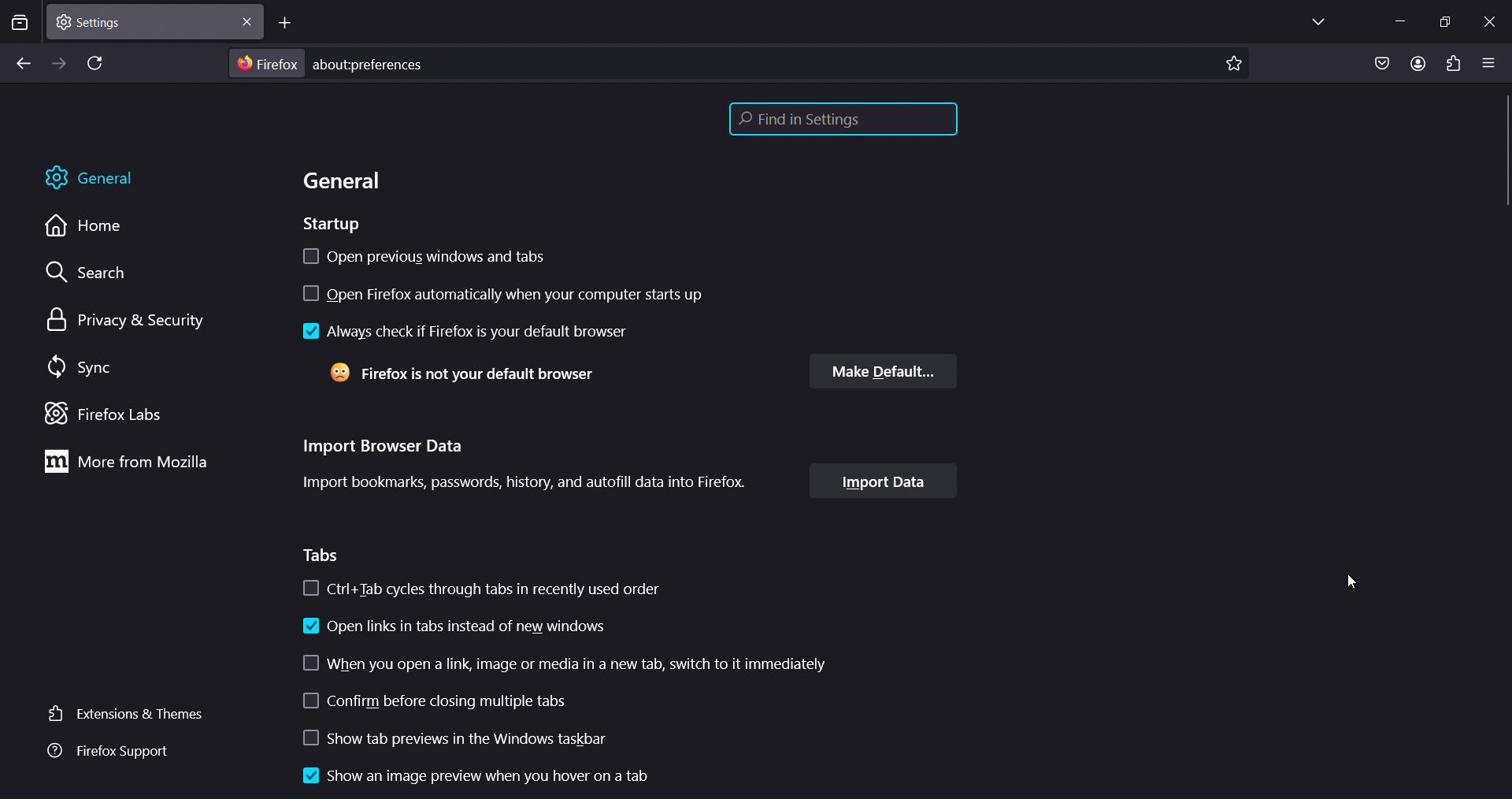 This screenshot has width=1512, height=799. Describe the element at coordinates (58, 63) in the screenshot. I see `go forward one page` at that location.